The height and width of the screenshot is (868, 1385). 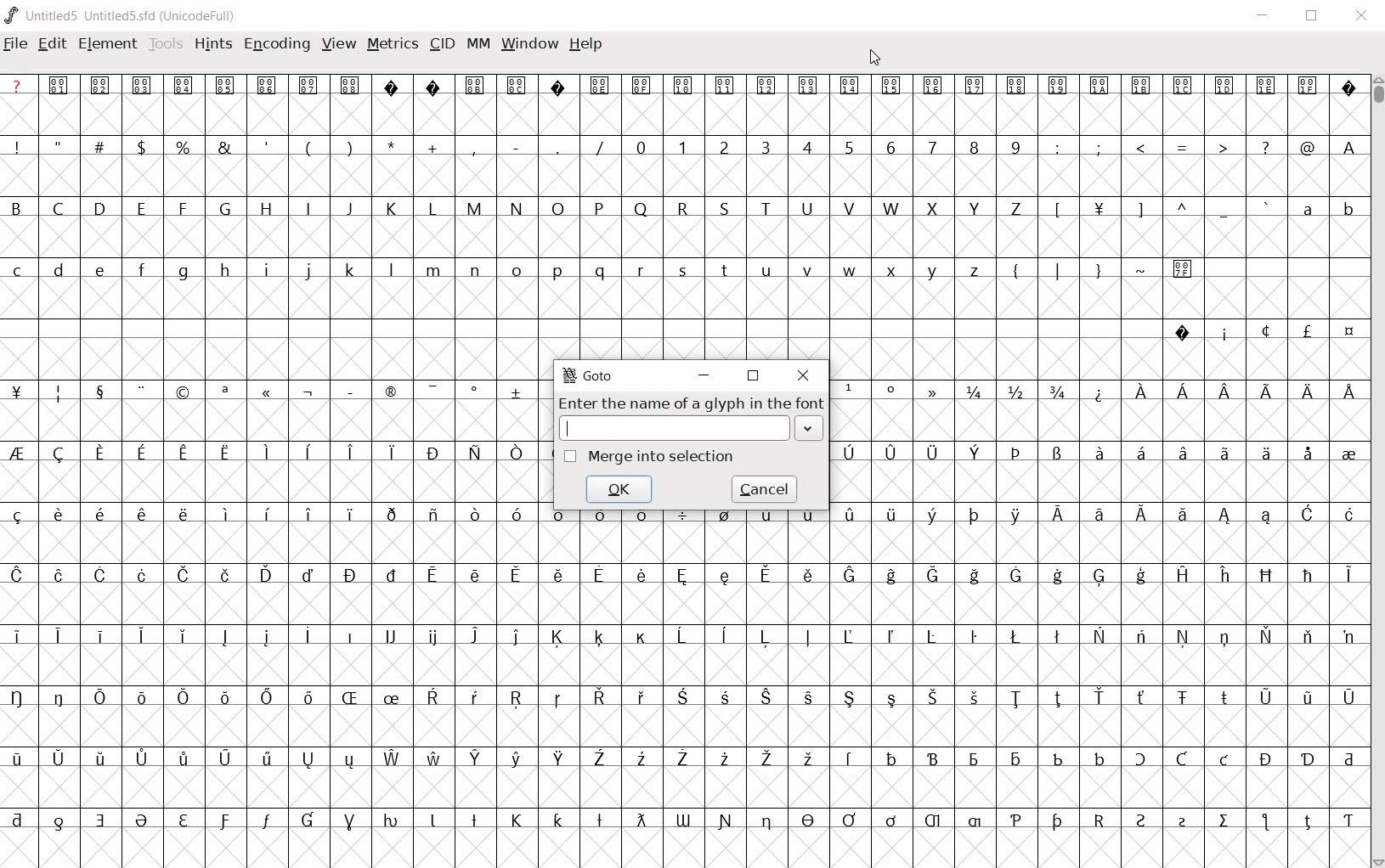 I want to click on Symbol, so click(x=61, y=85).